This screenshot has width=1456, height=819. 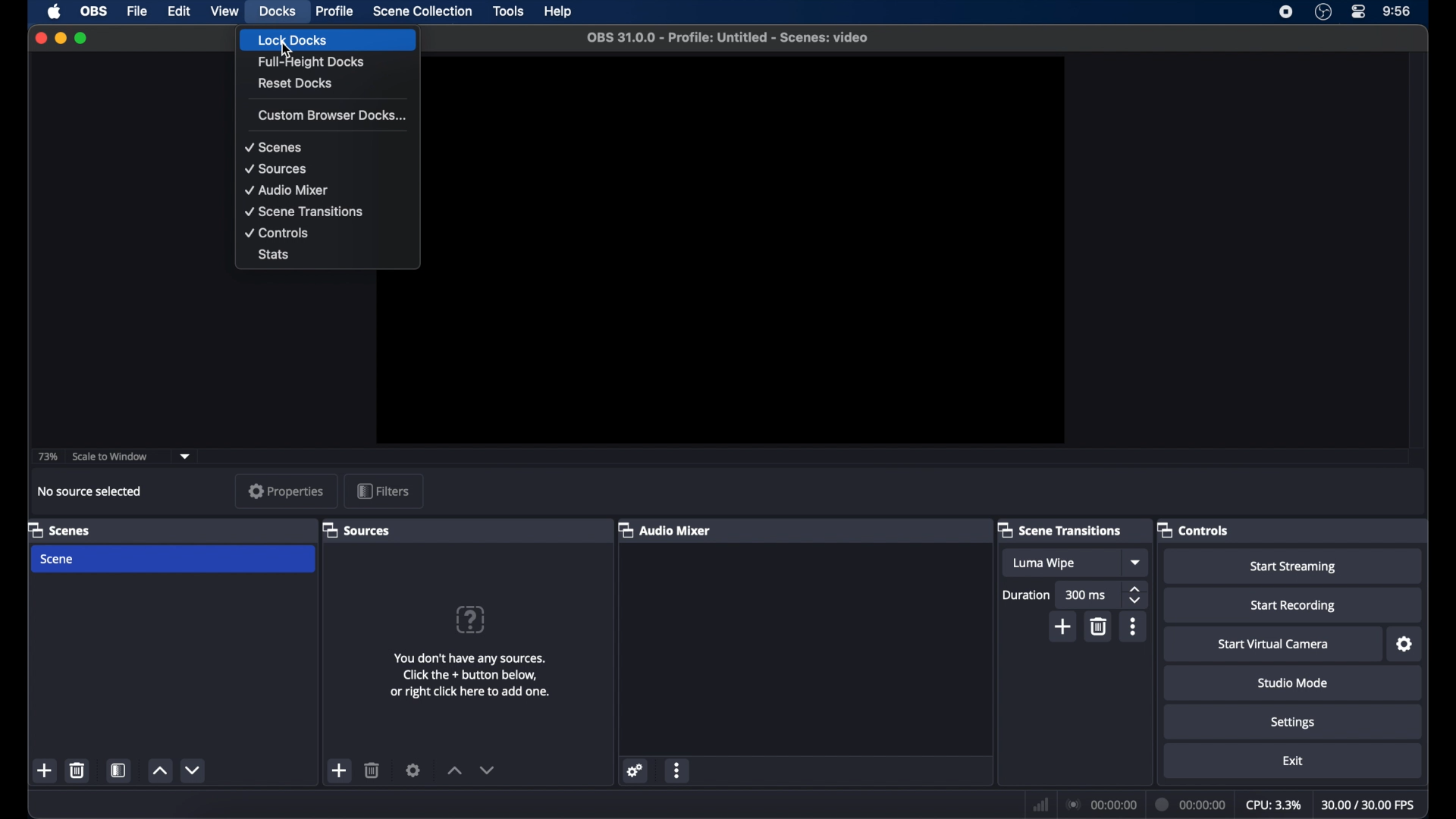 What do you see at coordinates (1134, 626) in the screenshot?
I see `more options` at bounding box center [1134, 626].